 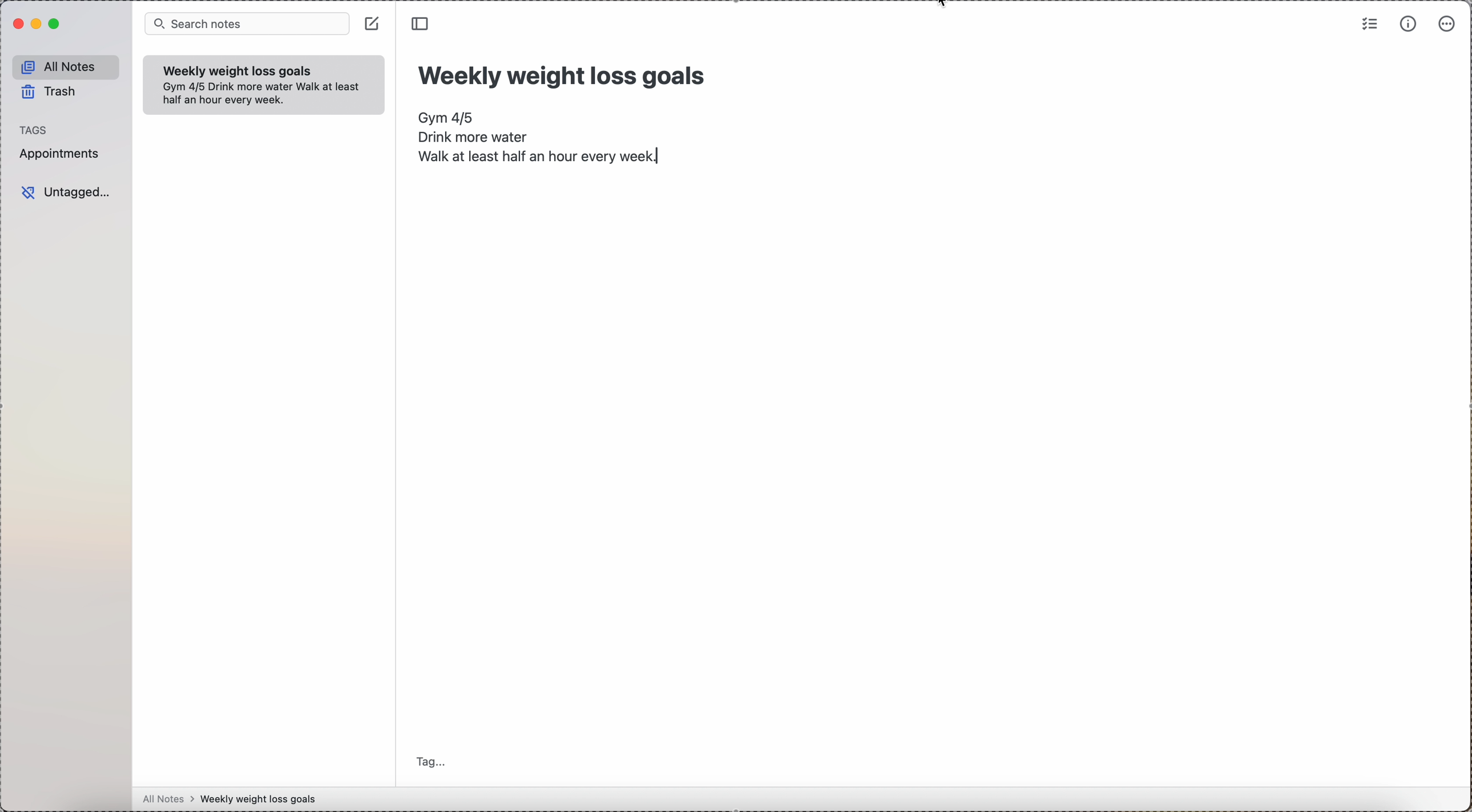 What do you see at coordinates (473, 137) in the screenshot?
I see `drink more water` at bounding box center [473, 137].